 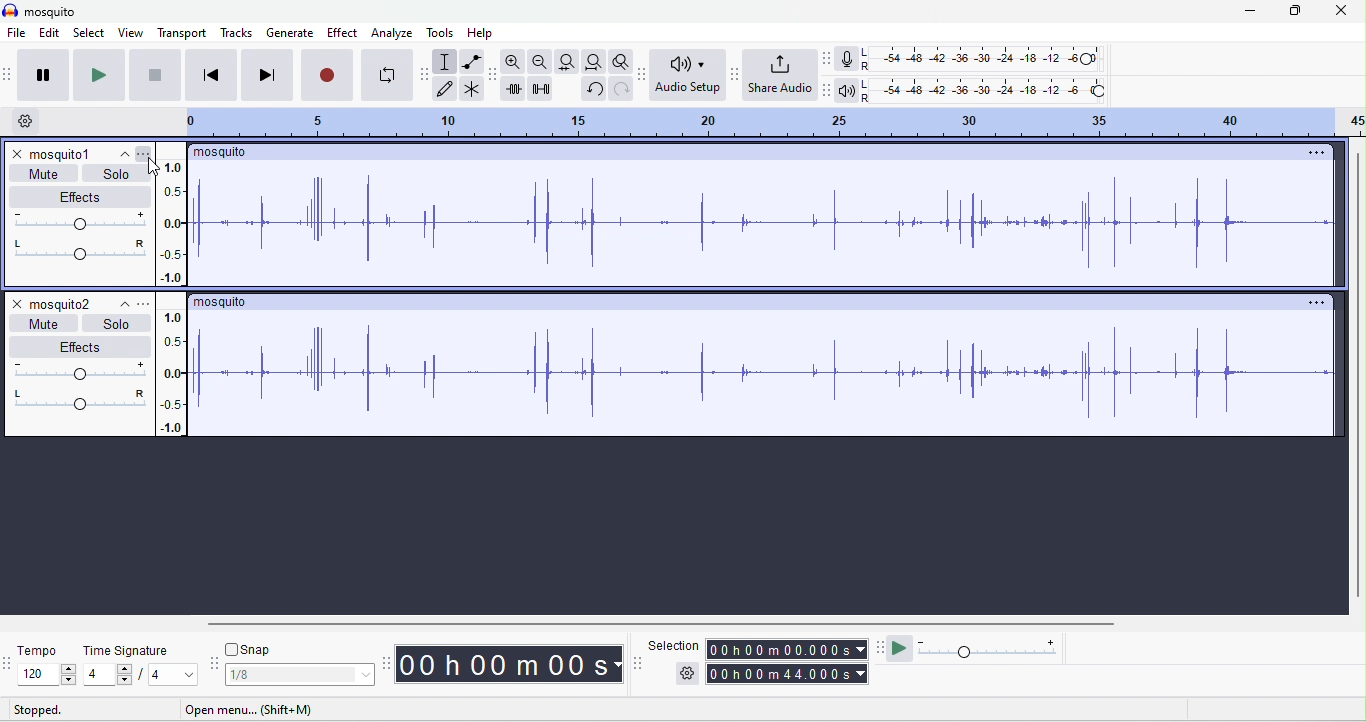 What do you see at coordinates (328, 74) in the screenshot?
I see `record` at bounding box center [328, 74].